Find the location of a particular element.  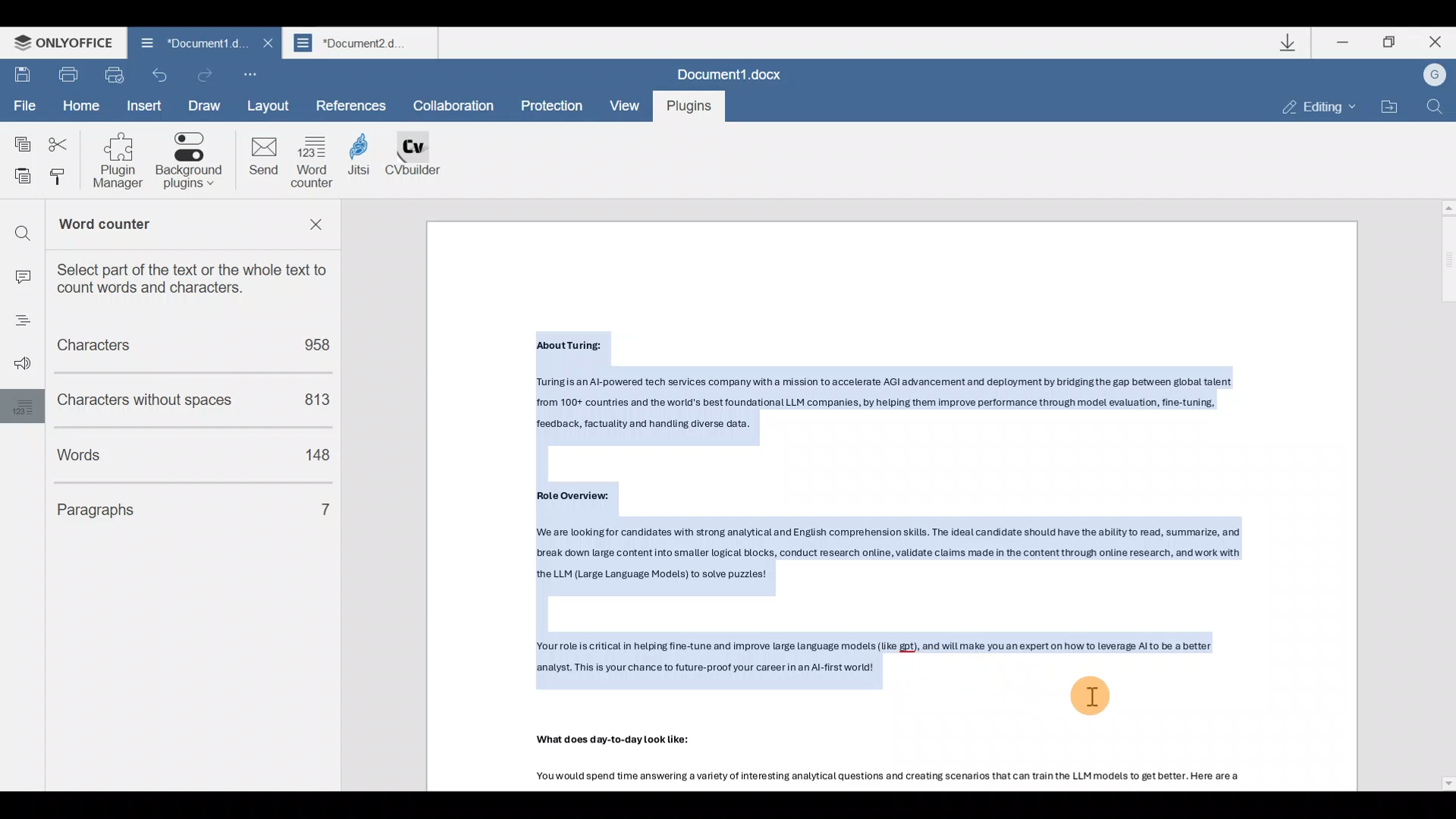

Redo is located at coordinates (206, 73).